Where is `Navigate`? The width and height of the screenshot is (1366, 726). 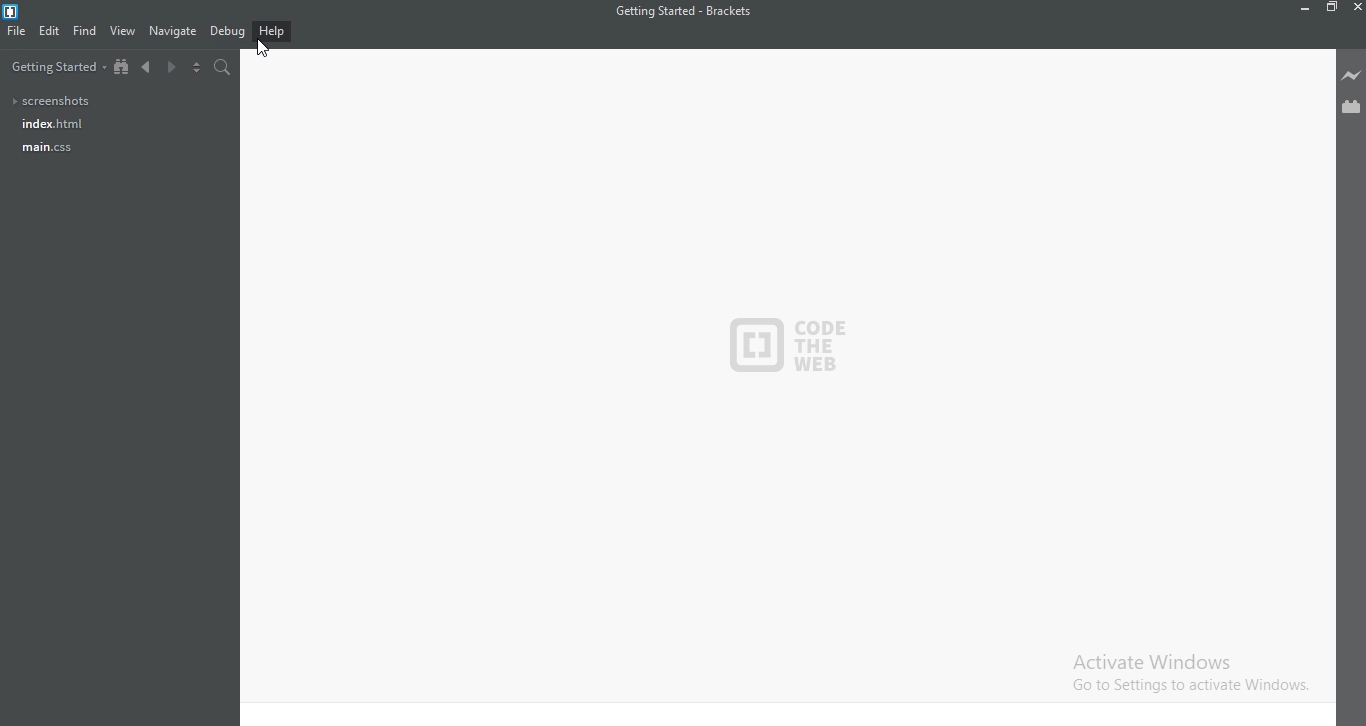 Navigate is located at coordinates (173, 31).